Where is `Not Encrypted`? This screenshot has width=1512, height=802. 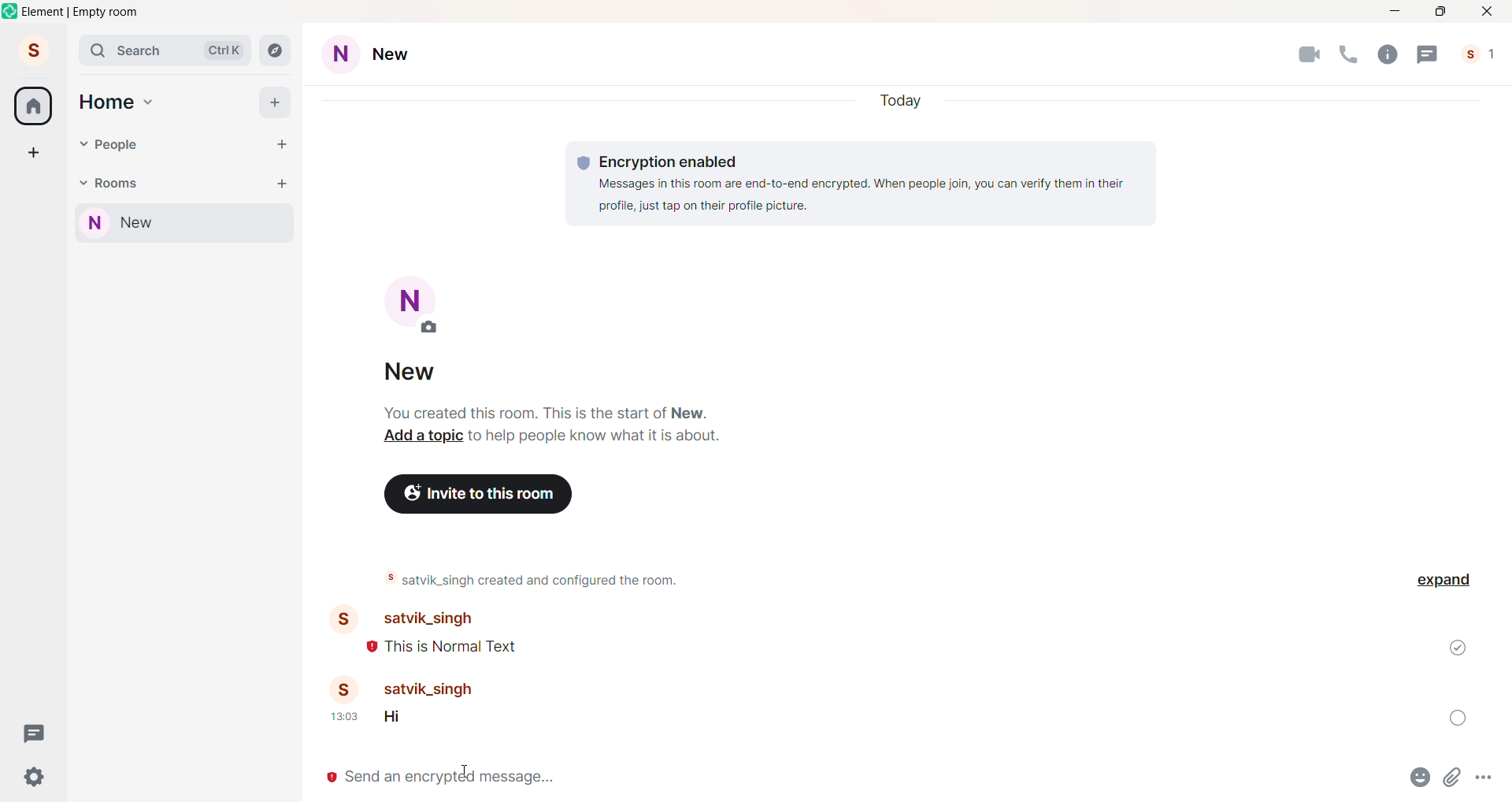 Not Encrypted is located at coordinates (372, 648).